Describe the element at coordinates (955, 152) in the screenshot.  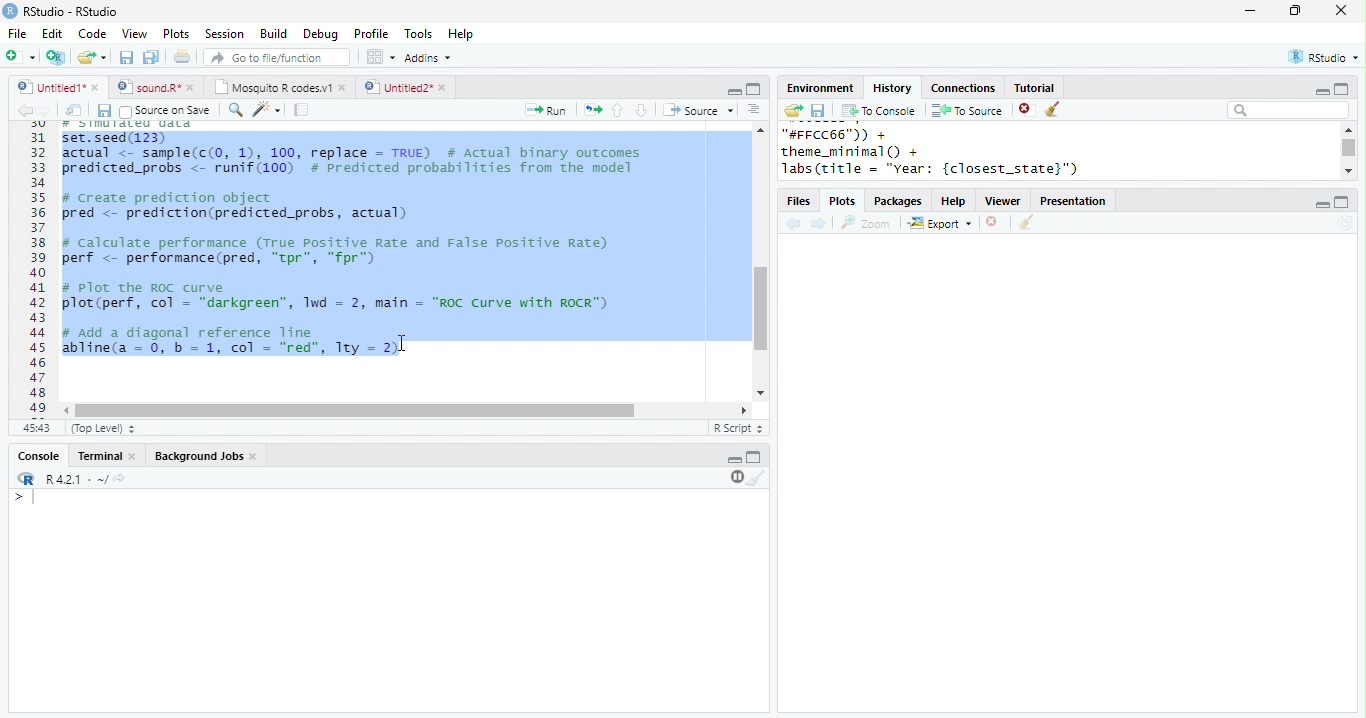
I see `"#FFCC66")) +theme_minimal() +labs(title = "year: {closest_state}")` at that location.